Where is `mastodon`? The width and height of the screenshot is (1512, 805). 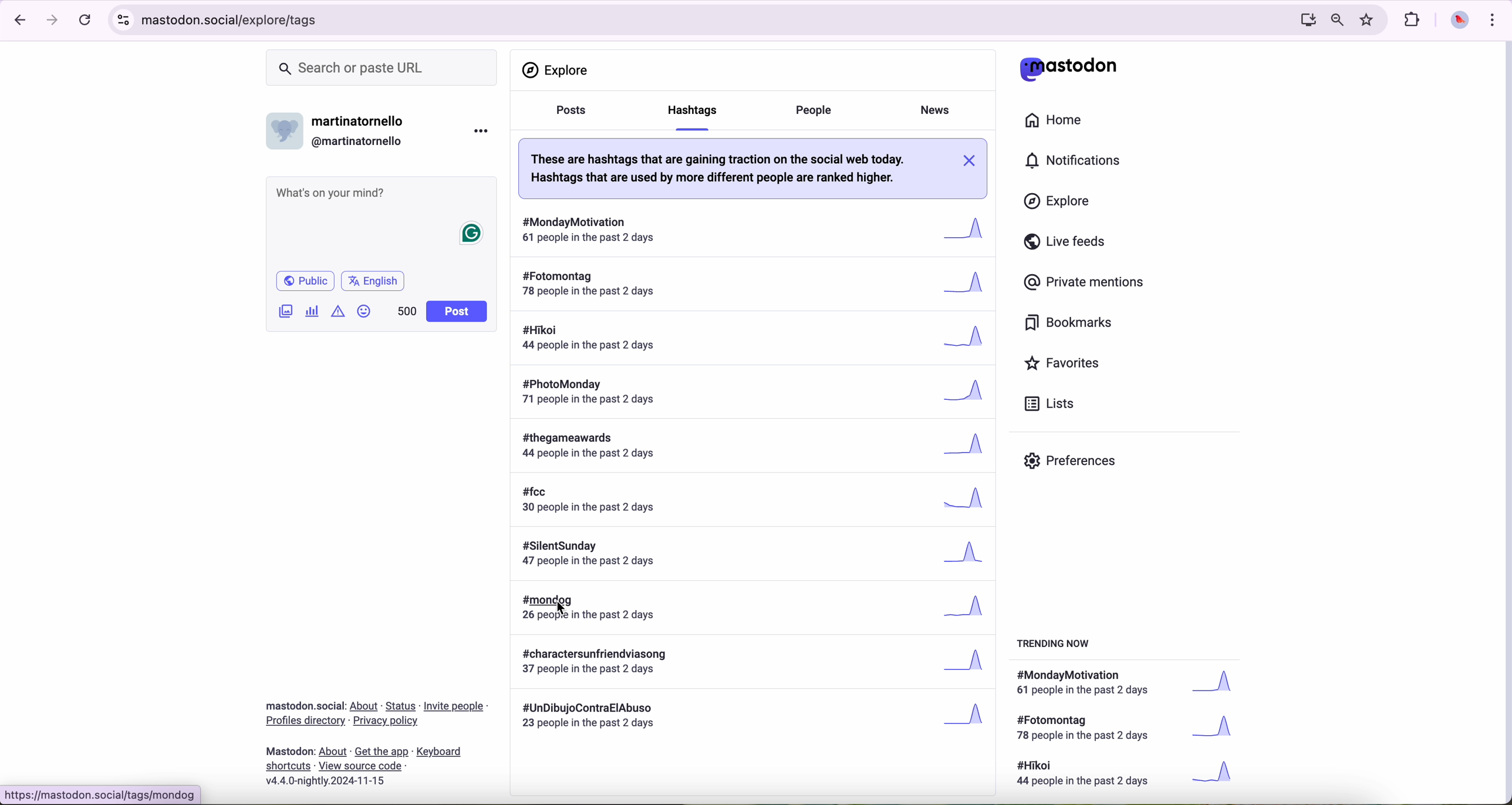
mastodon is located at coordinates (291, 751).